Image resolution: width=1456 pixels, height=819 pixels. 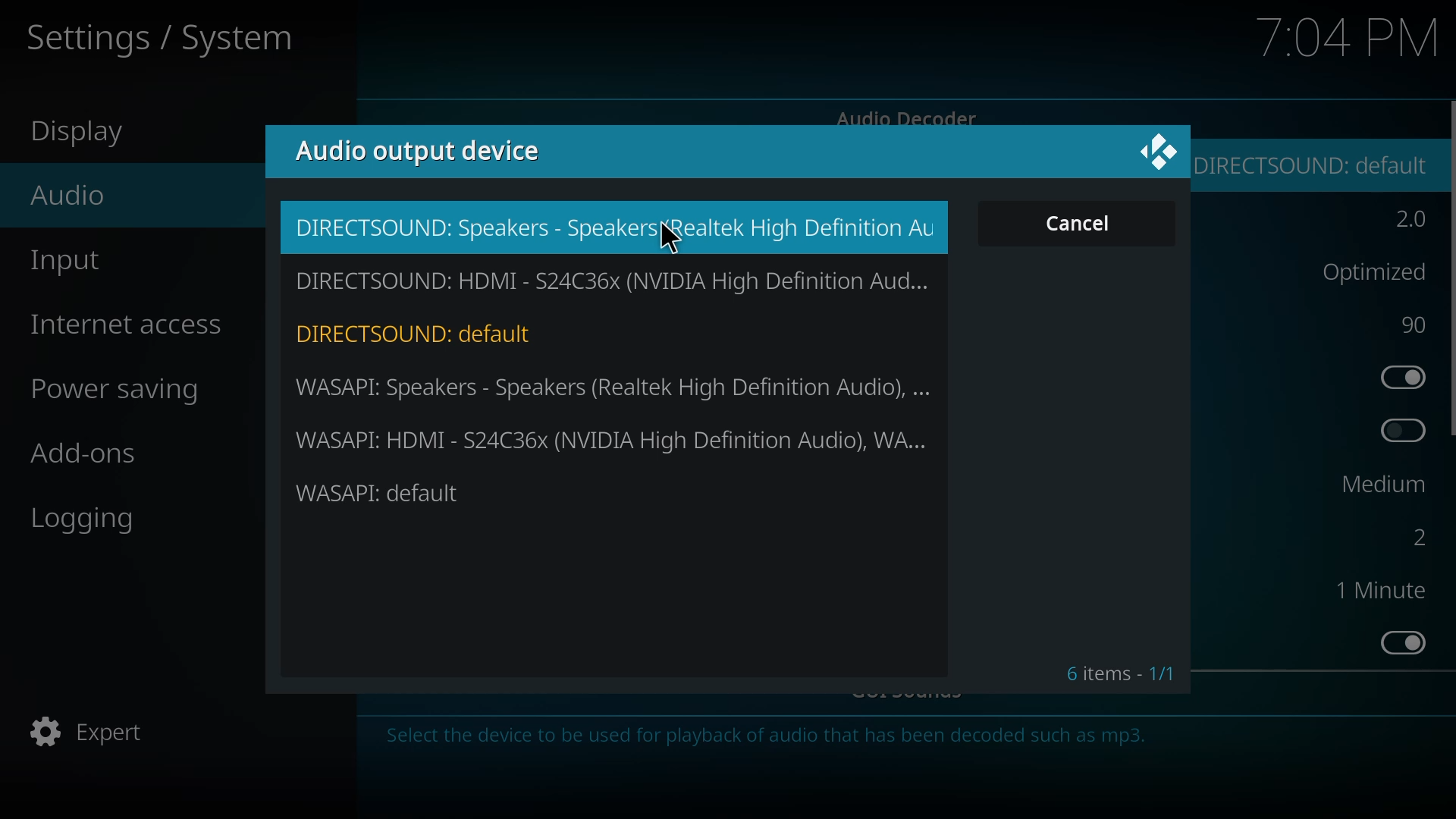 I want to click on optimized, so click(x=1370, y=270).